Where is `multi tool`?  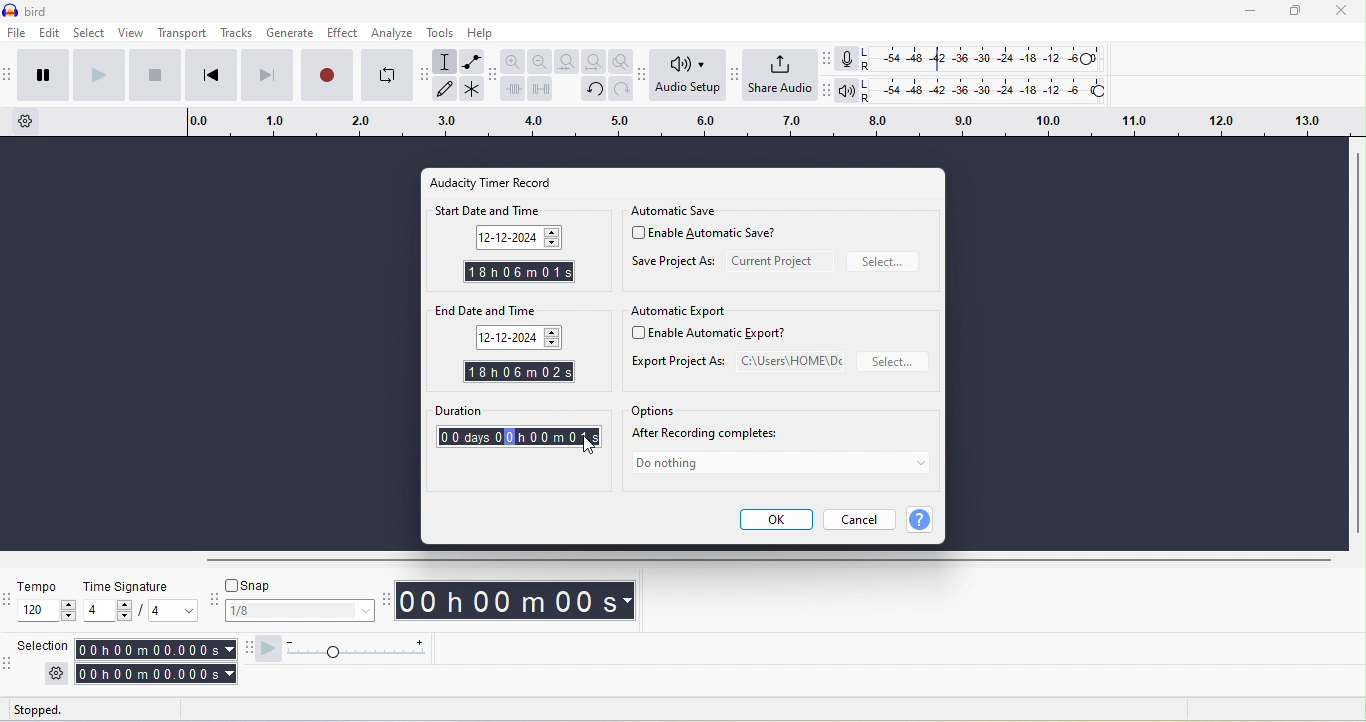 multi tool is located at coordinates (473, 88).